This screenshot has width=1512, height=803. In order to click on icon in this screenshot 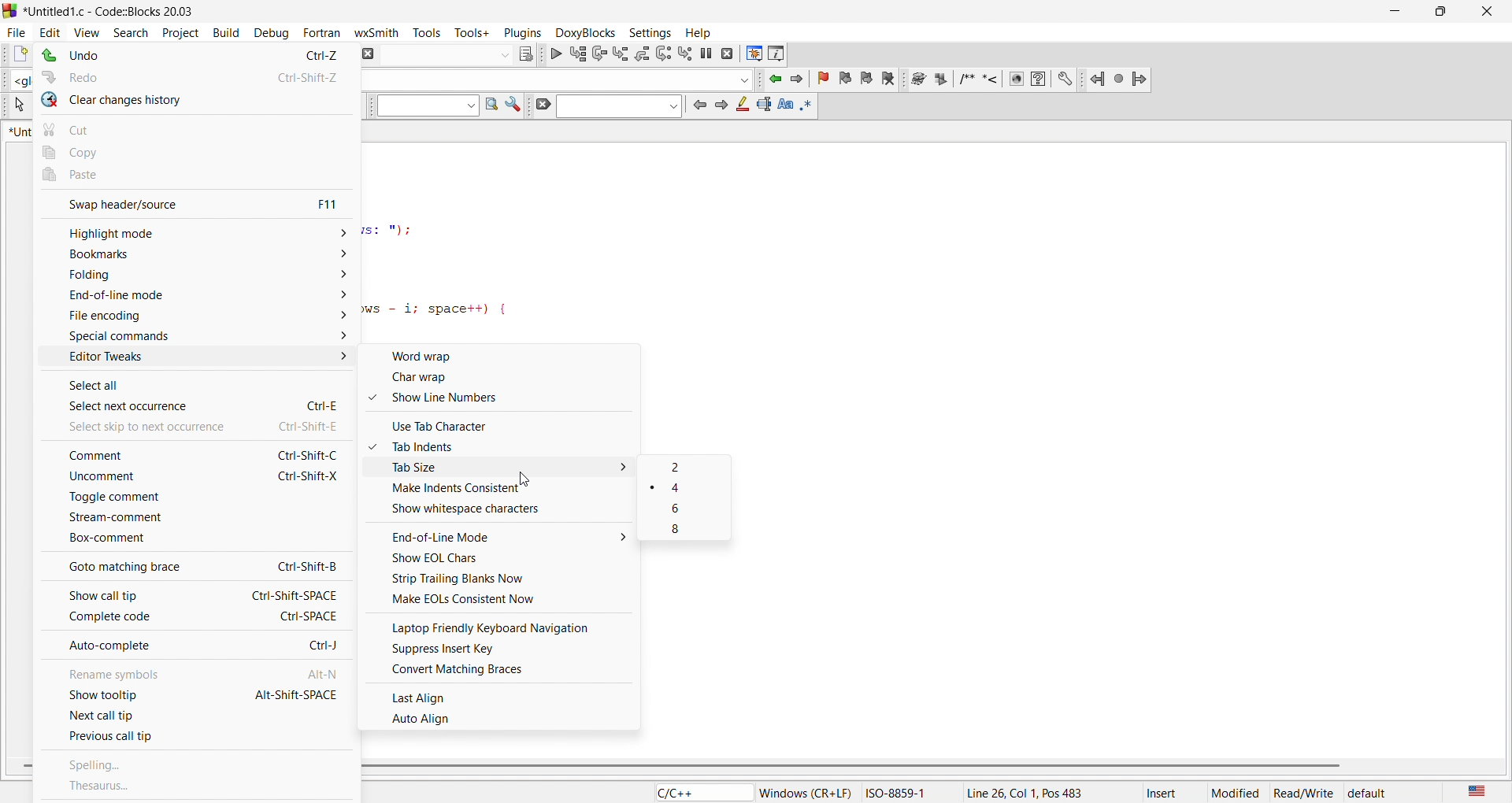, I will do `click(788, 106)`.